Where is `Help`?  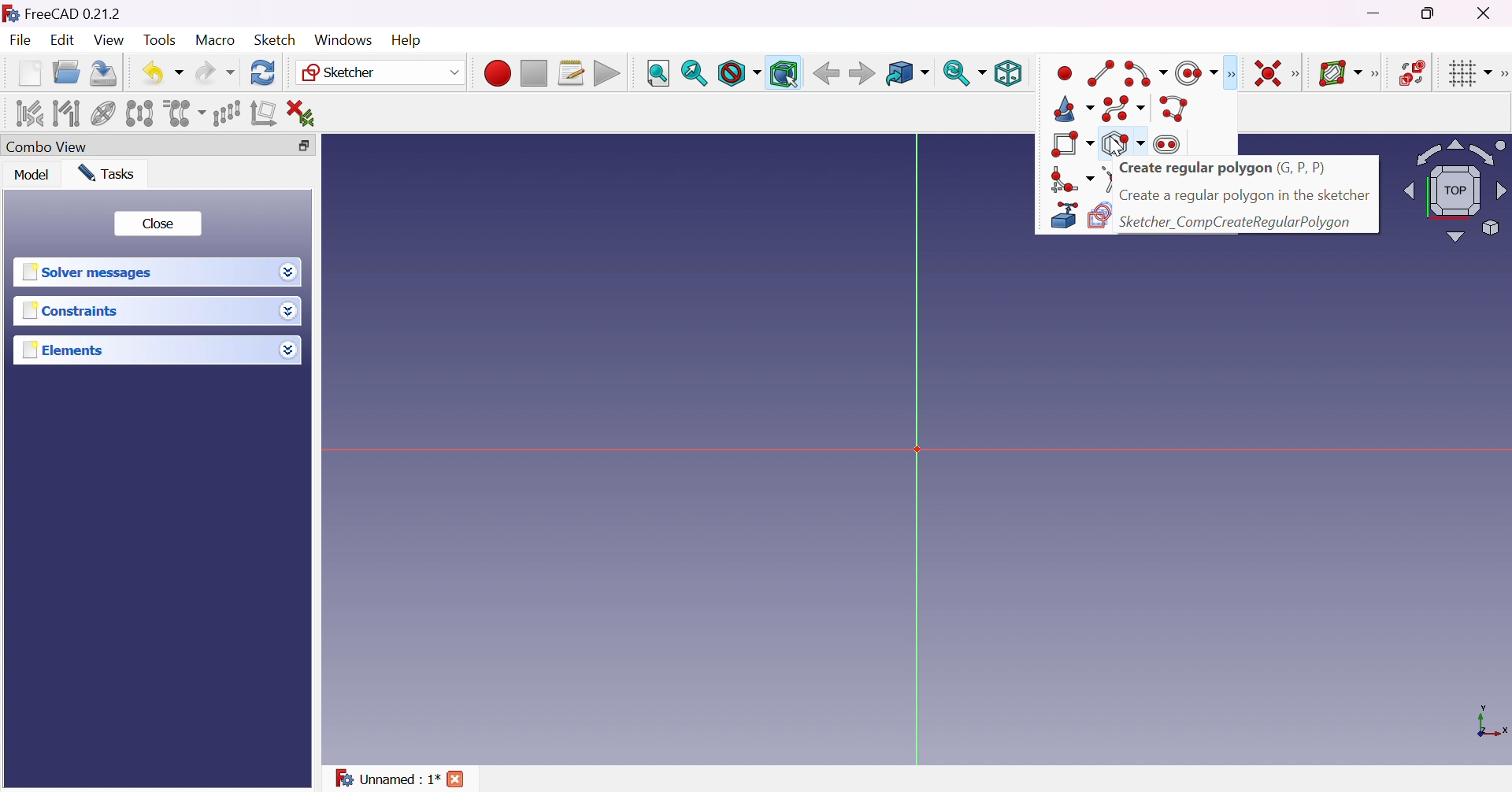 Help is located at coordinates (409, 41).